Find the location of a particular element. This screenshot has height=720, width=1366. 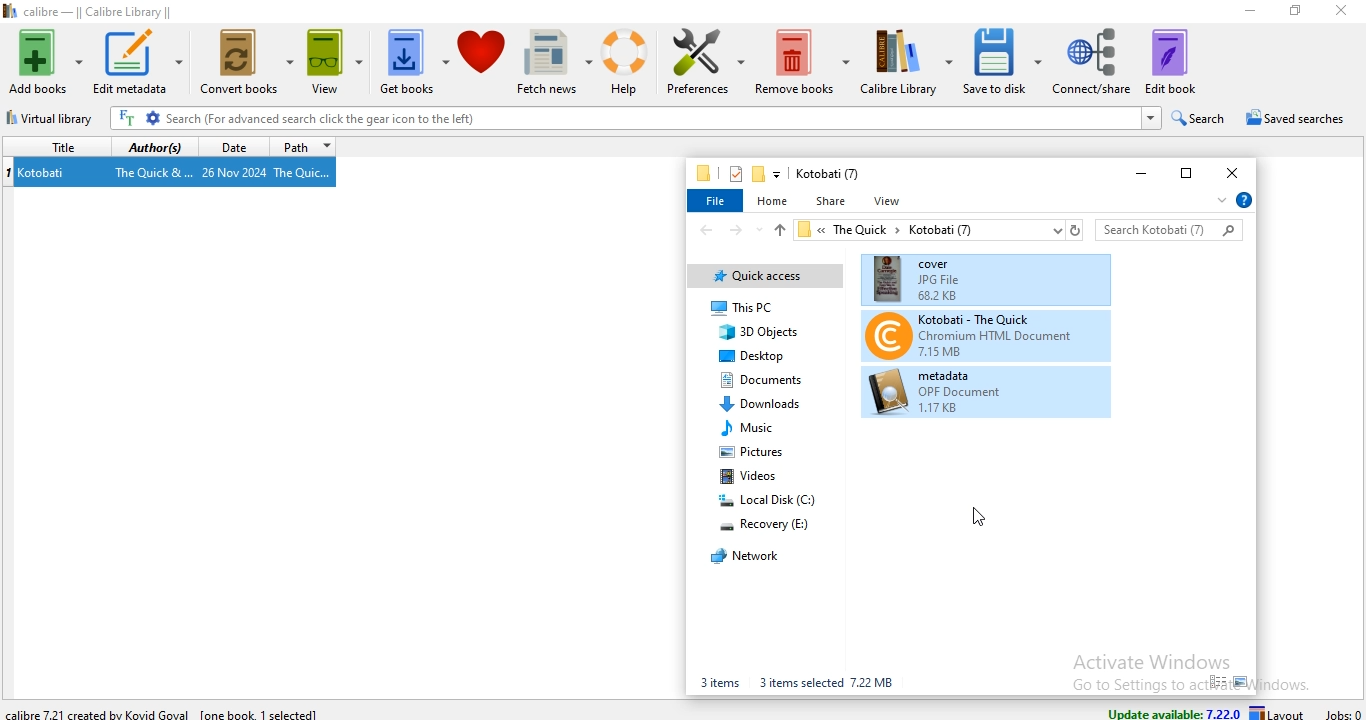

minimise is located at coordinates (1242, 13).